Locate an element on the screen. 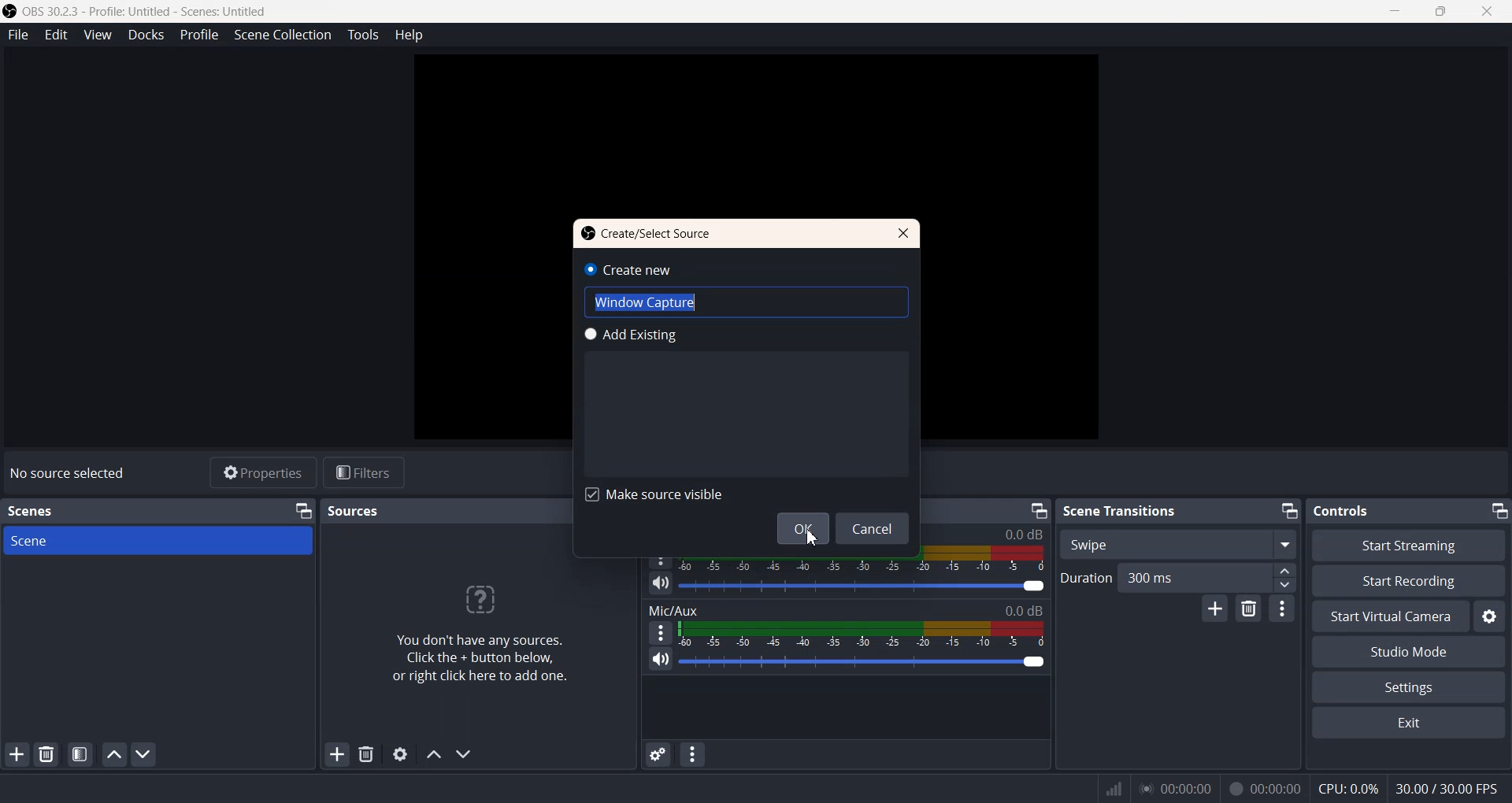 This screenshot has height=803, width=1512. Start Streaming is located at coordinates (1410, 546).